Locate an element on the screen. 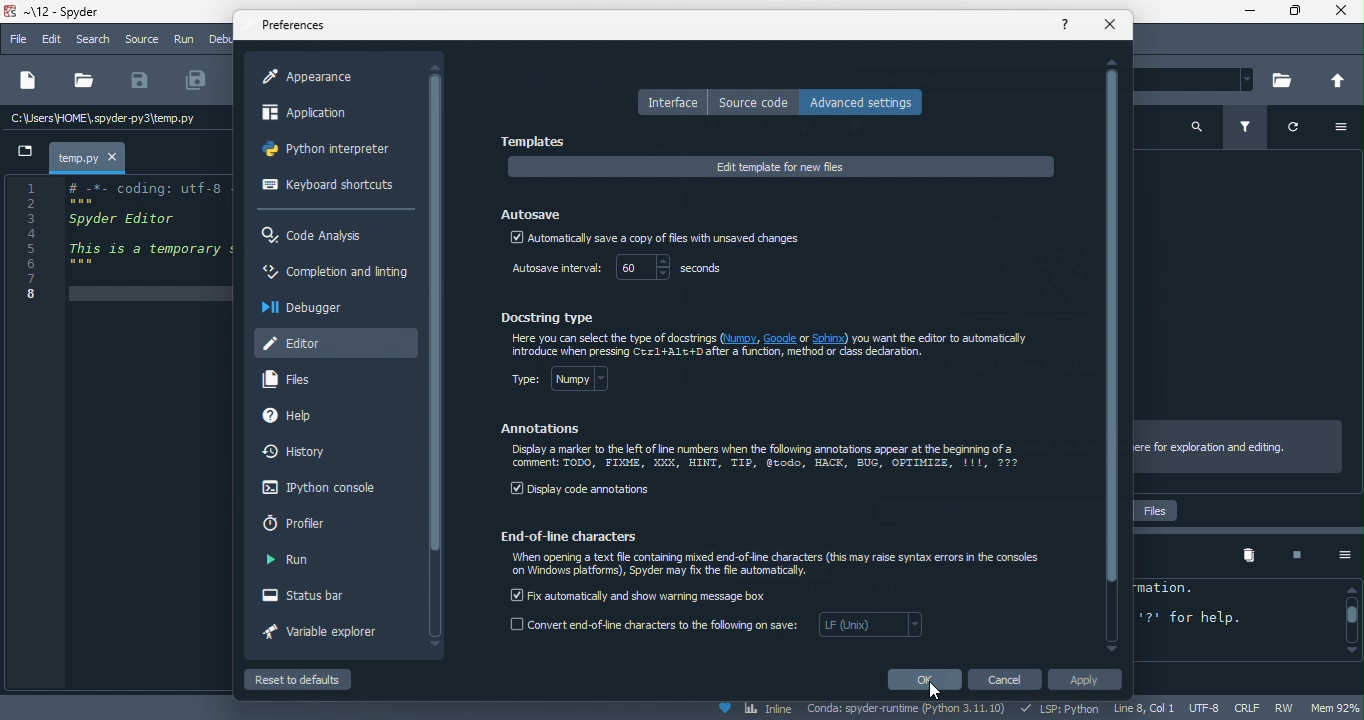 This screenshot has width=1364, height=720. profiler is located at coordinates (304, 523).